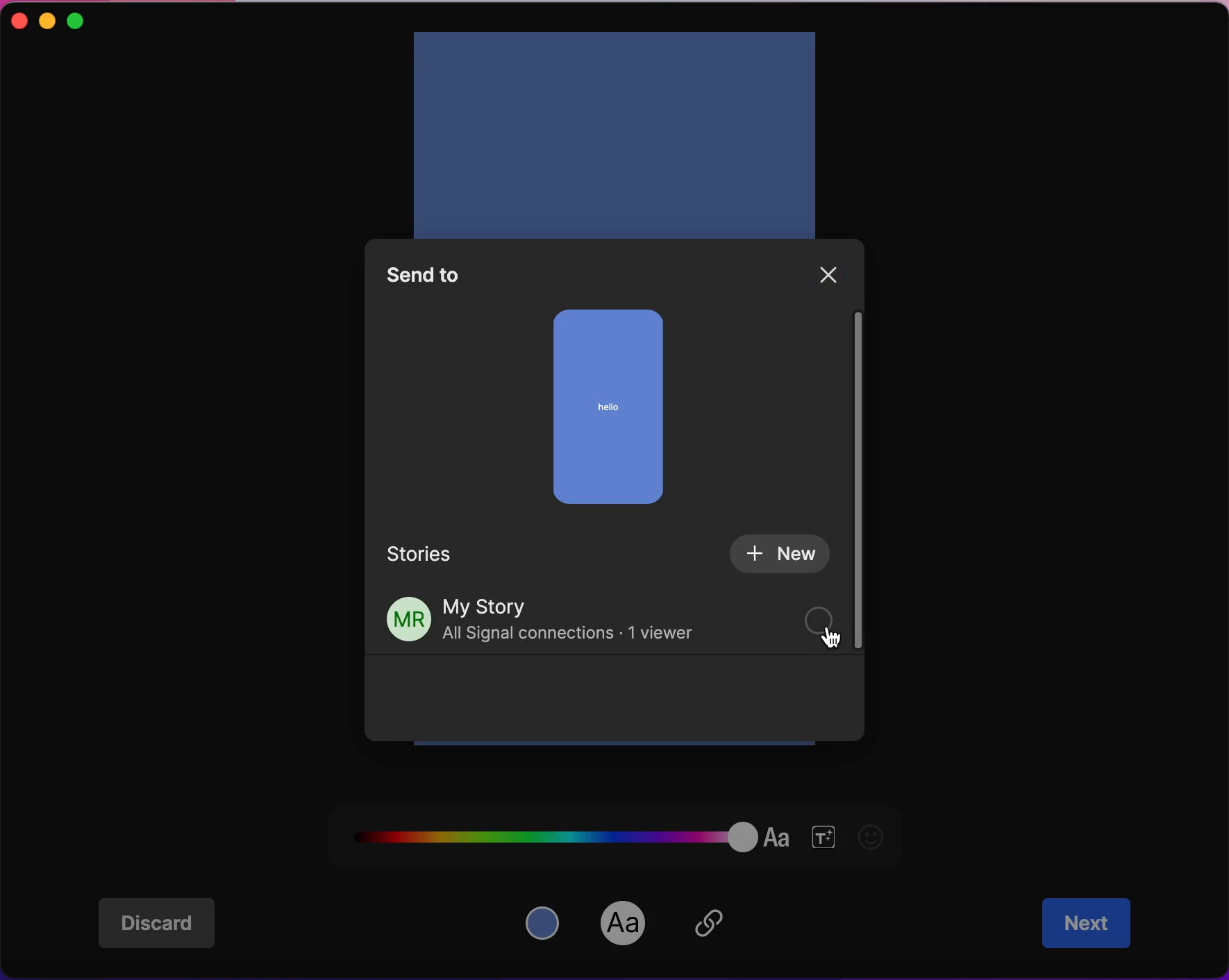 The height and width of the screenshot is (980, 1229). What do you see at coordinates (877, 836) in the screenshot?
I see `emoji` at bounding box center [877, 836].